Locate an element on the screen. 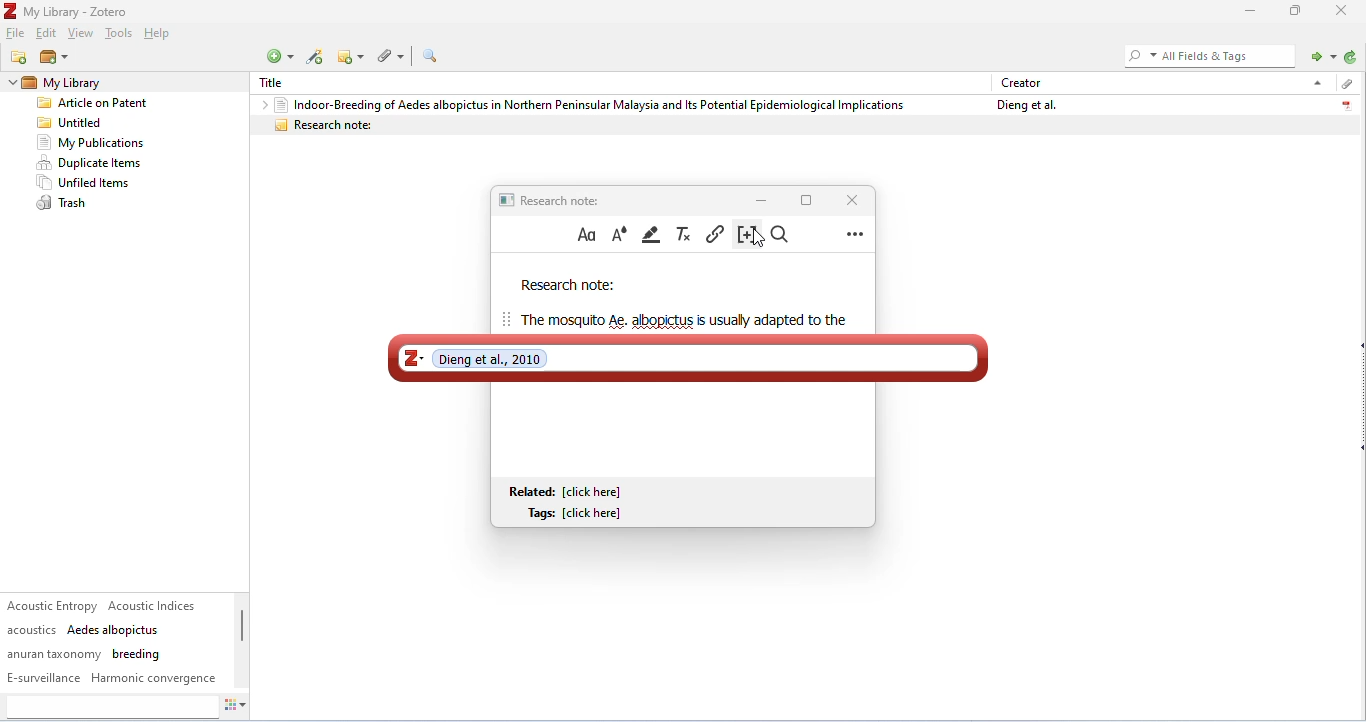 The image size is (1366, 722). close is located at coordinates (849, 199).